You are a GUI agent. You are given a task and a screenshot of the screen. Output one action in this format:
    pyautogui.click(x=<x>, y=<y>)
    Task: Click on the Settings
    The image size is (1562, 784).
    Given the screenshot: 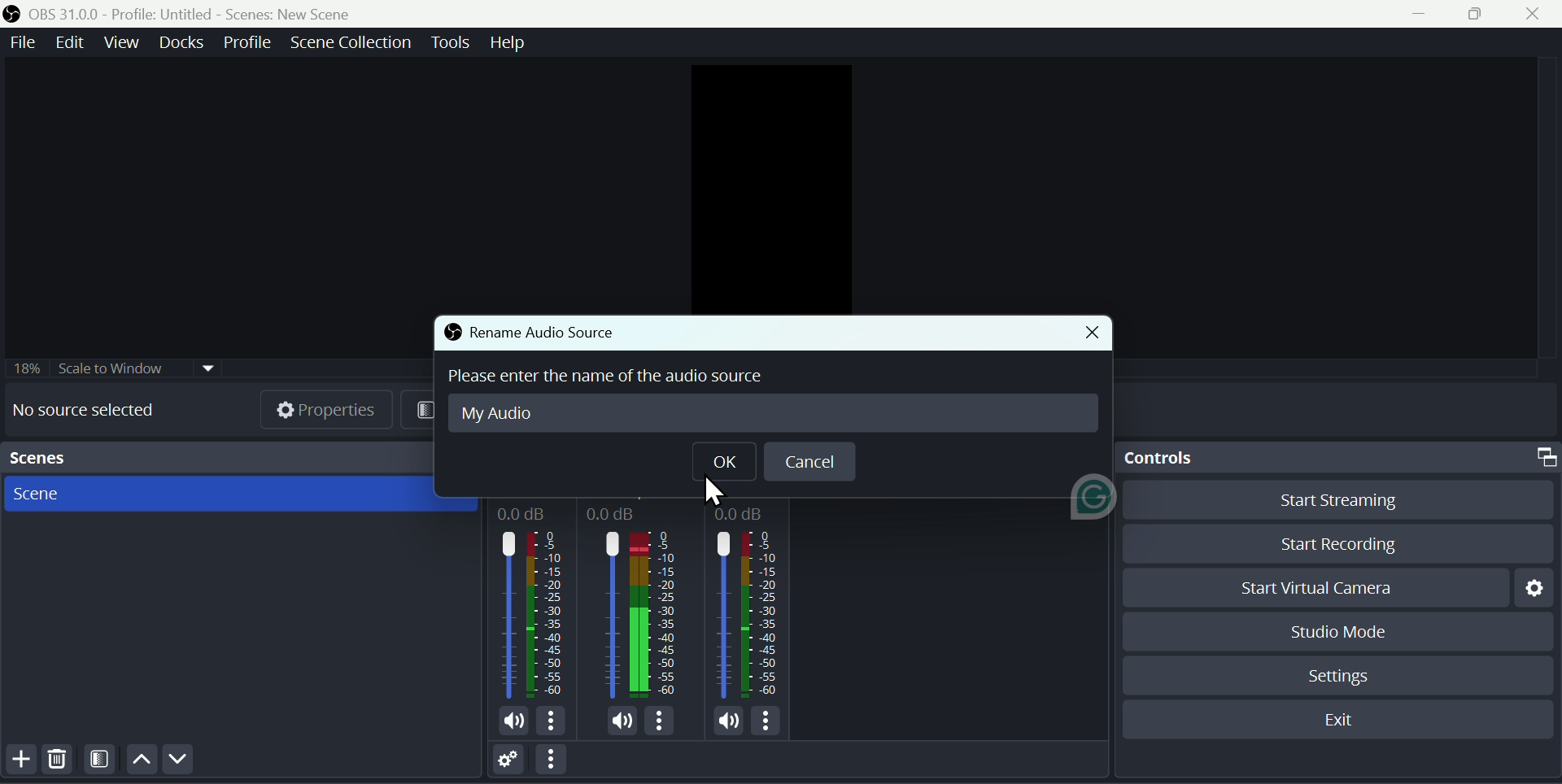 What is the action you would take?
    pyautogui.click(x=1530, y=588)
    